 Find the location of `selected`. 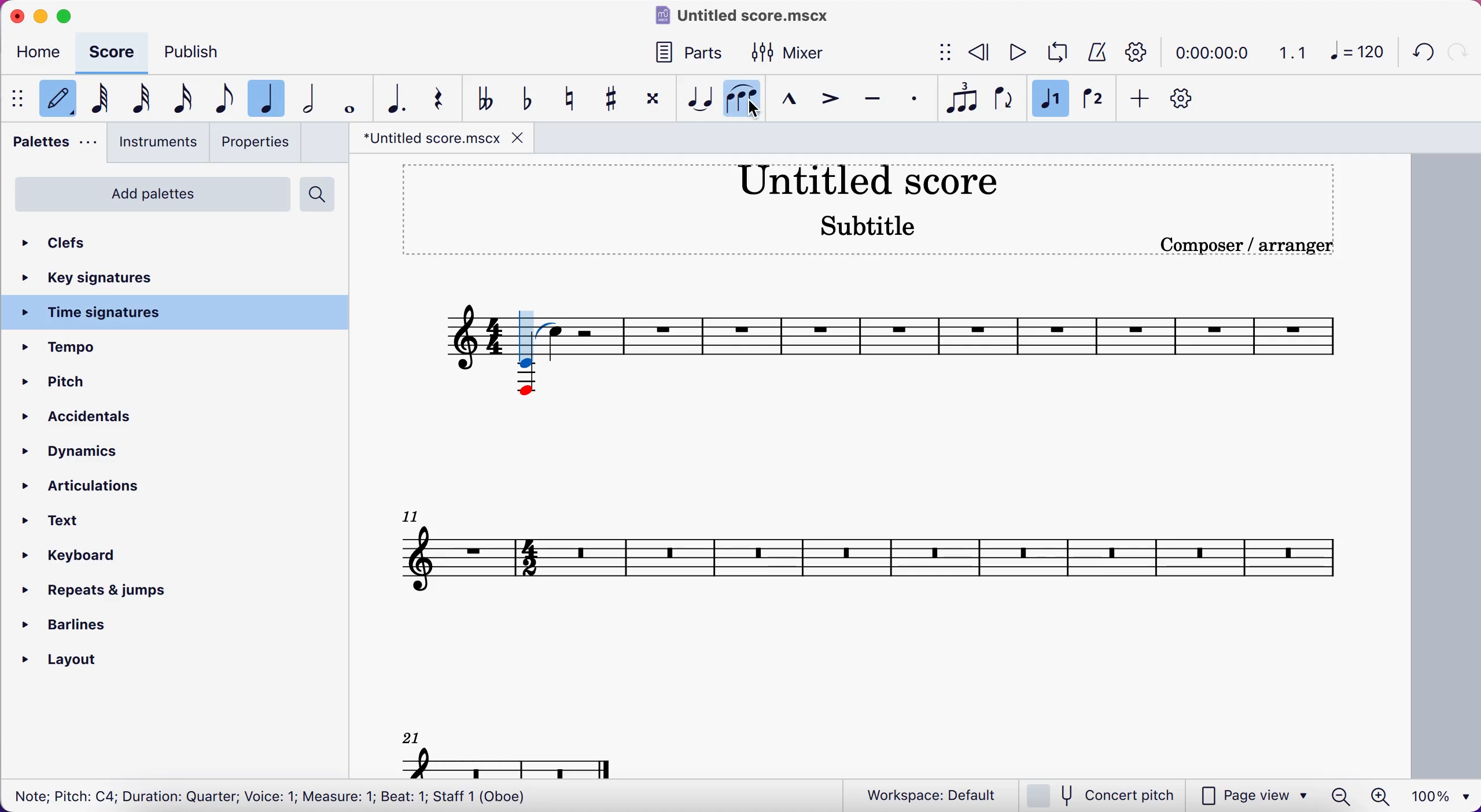

selected is located at coordinates (271, 98).